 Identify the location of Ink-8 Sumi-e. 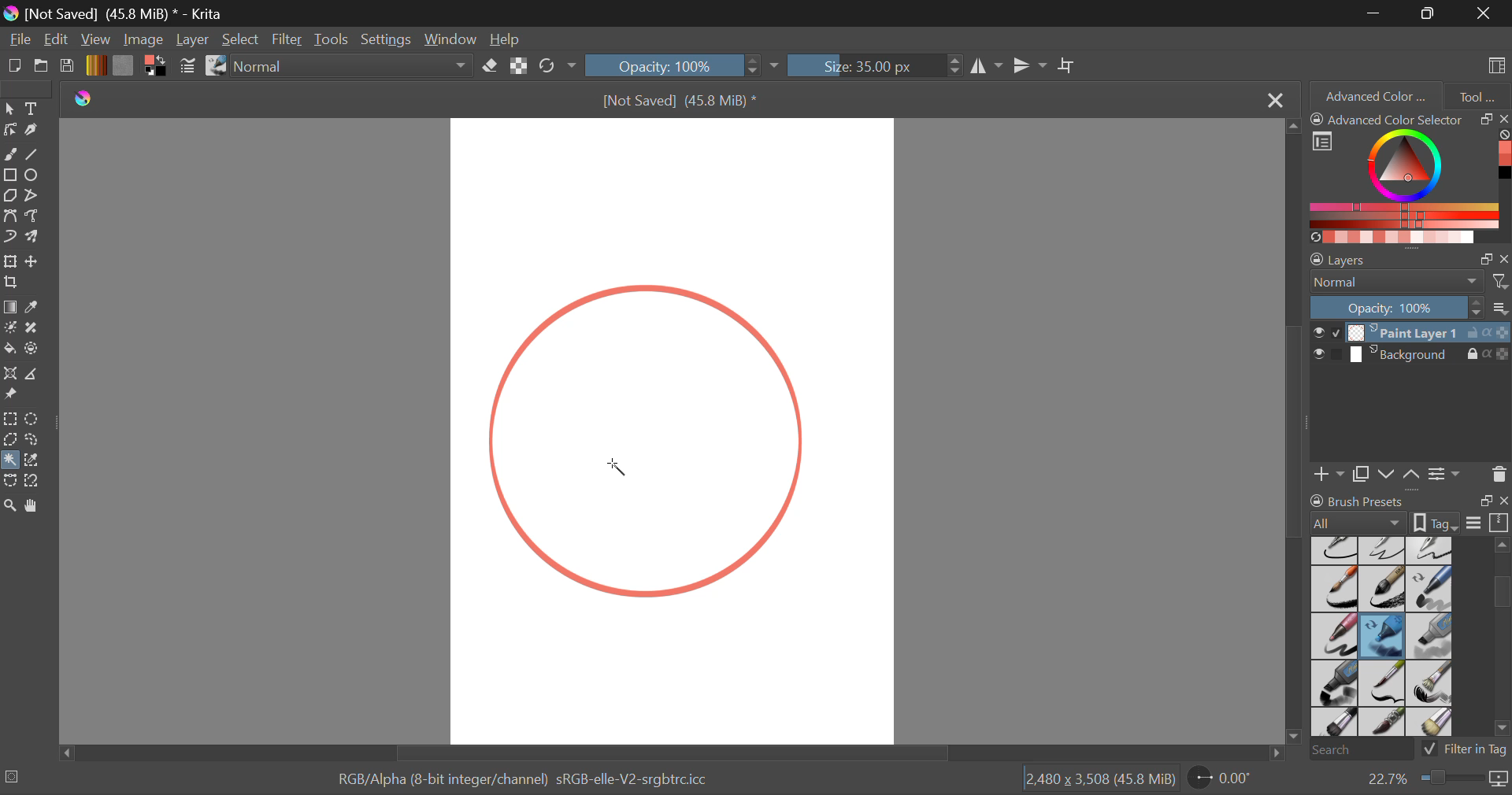
(1382, 590).